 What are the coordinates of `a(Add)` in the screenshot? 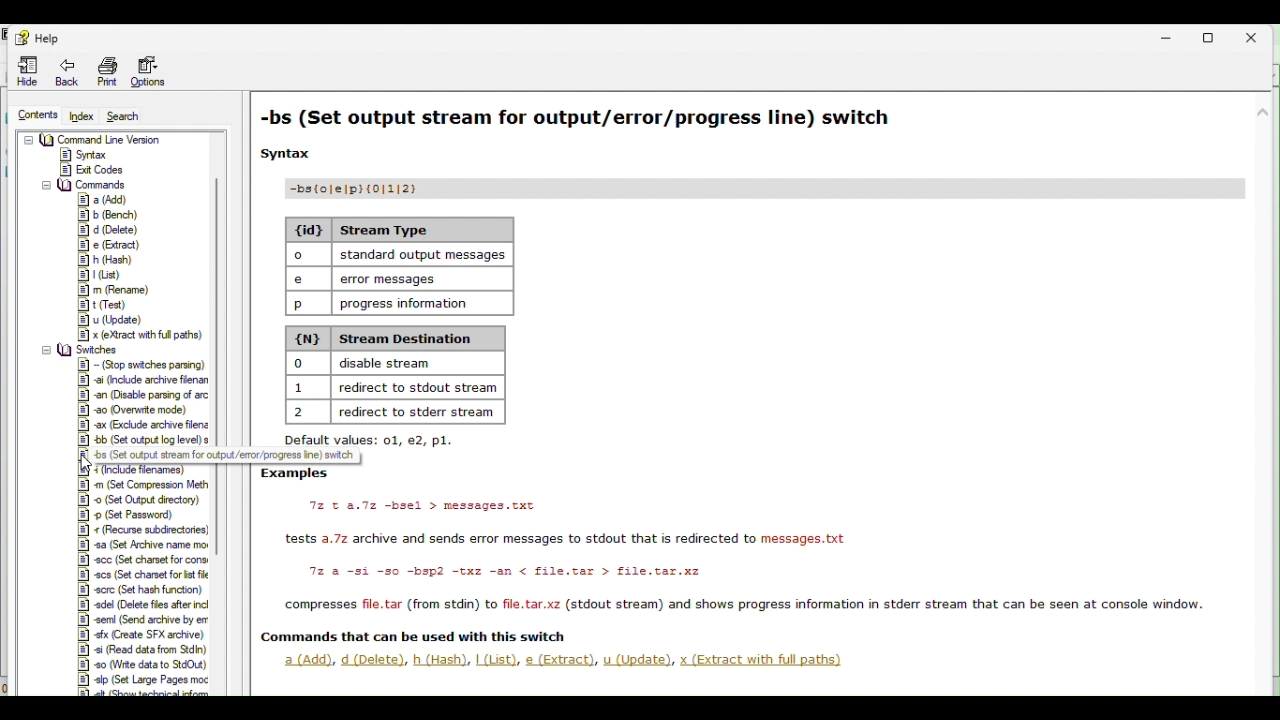 It's located at (306, 660).